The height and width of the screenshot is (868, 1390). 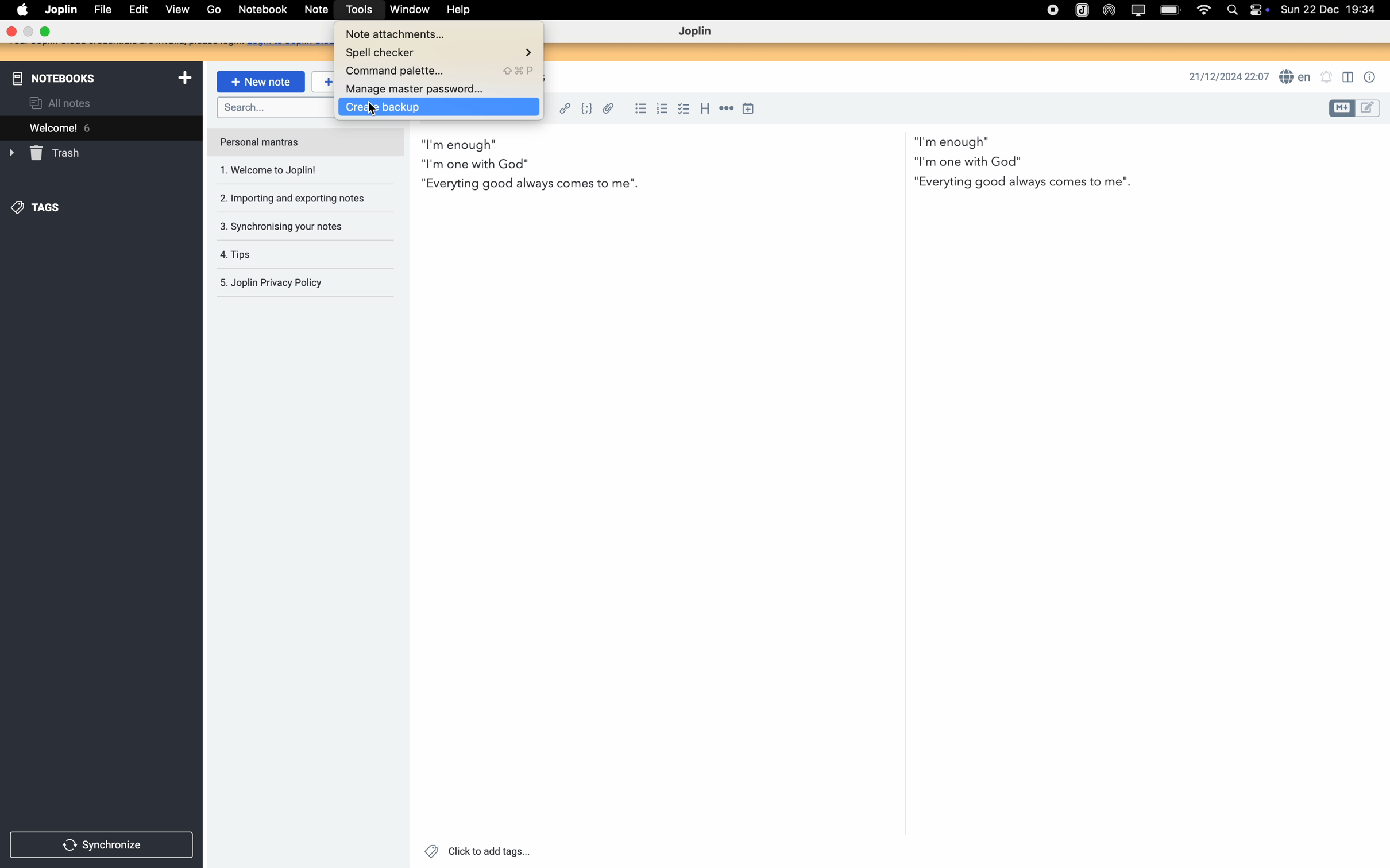 What do you see at coordinates (566, 110) in the screenshot?
I see `hyperlink` at bounding box center [566, 110].